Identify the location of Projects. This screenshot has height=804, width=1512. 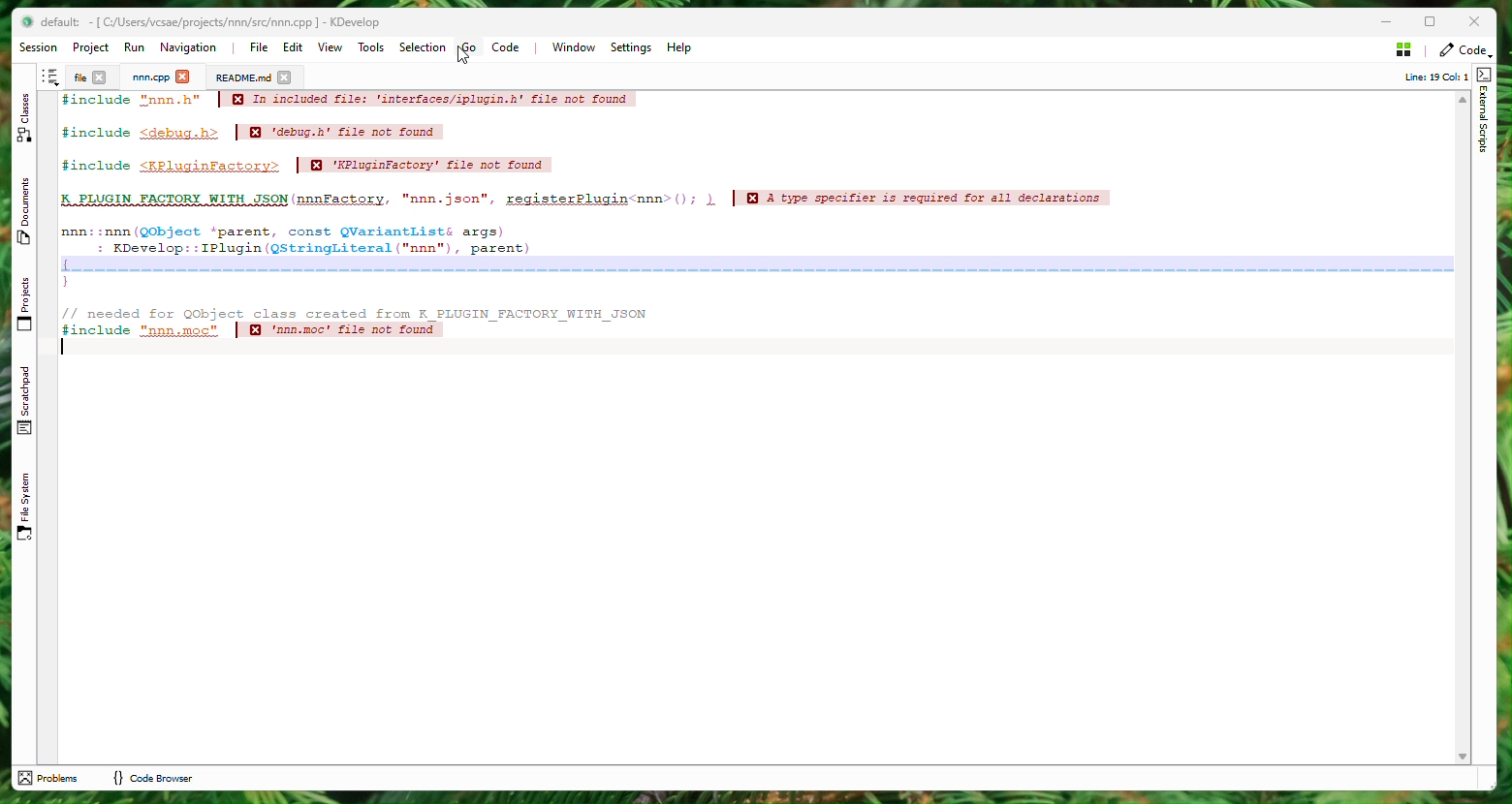
(27, 305).